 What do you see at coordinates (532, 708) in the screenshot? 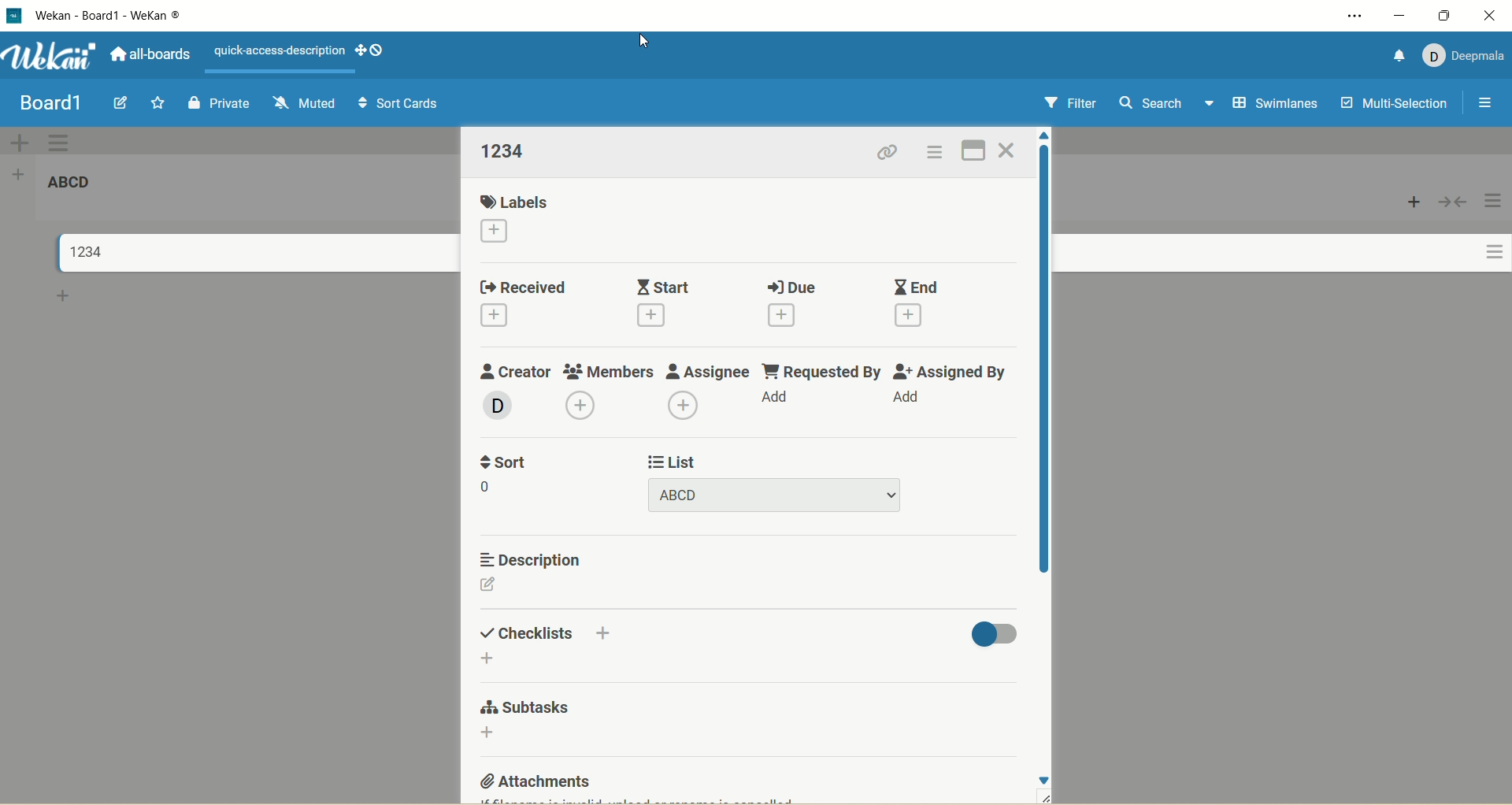
I see `subtasks` at bounding box center [532, 708].